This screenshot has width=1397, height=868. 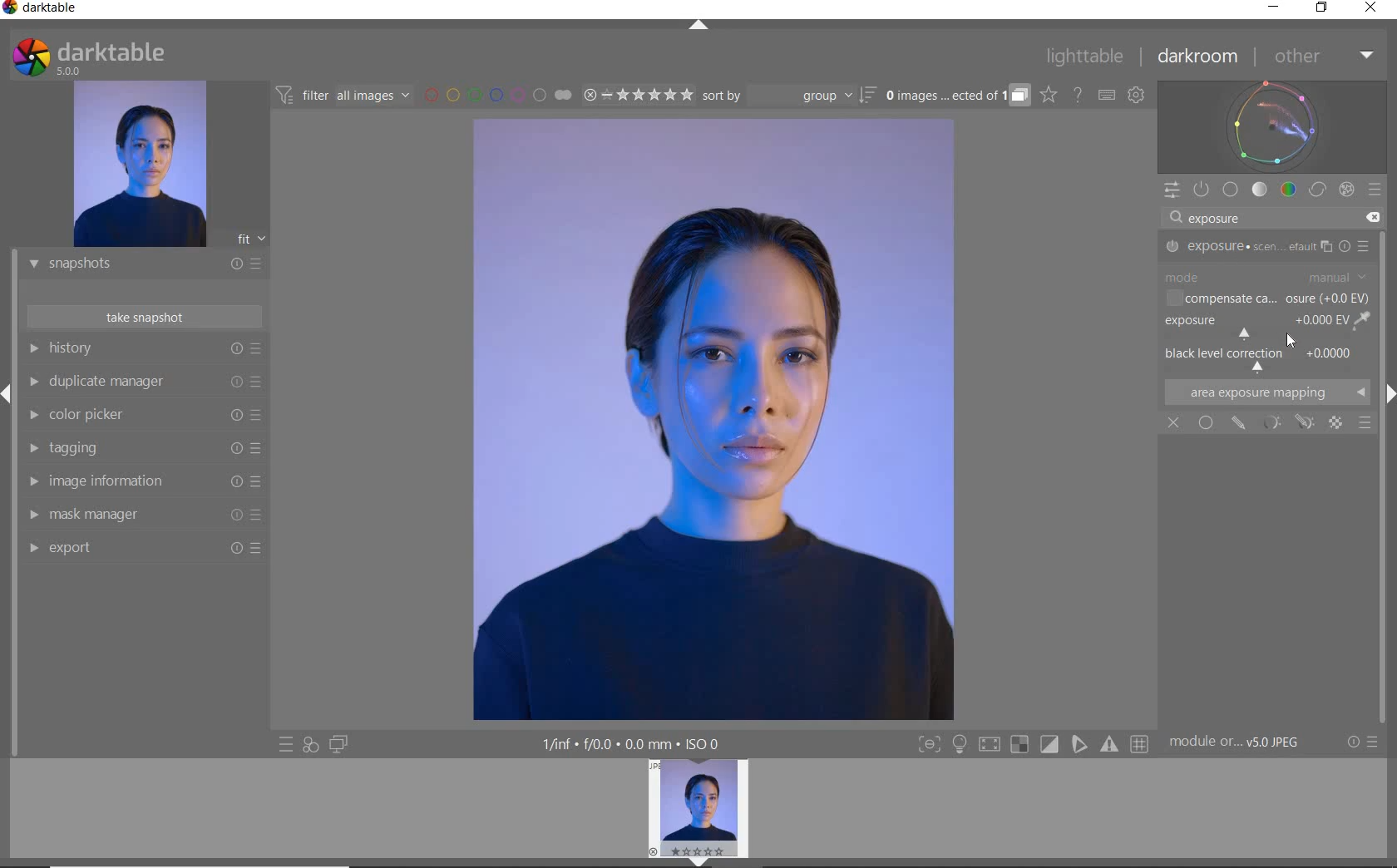 What do you see at coordinates (139, 486) in the screenshot?
I see `IMAGE INFORMATION` at bounding box center [139, 486].